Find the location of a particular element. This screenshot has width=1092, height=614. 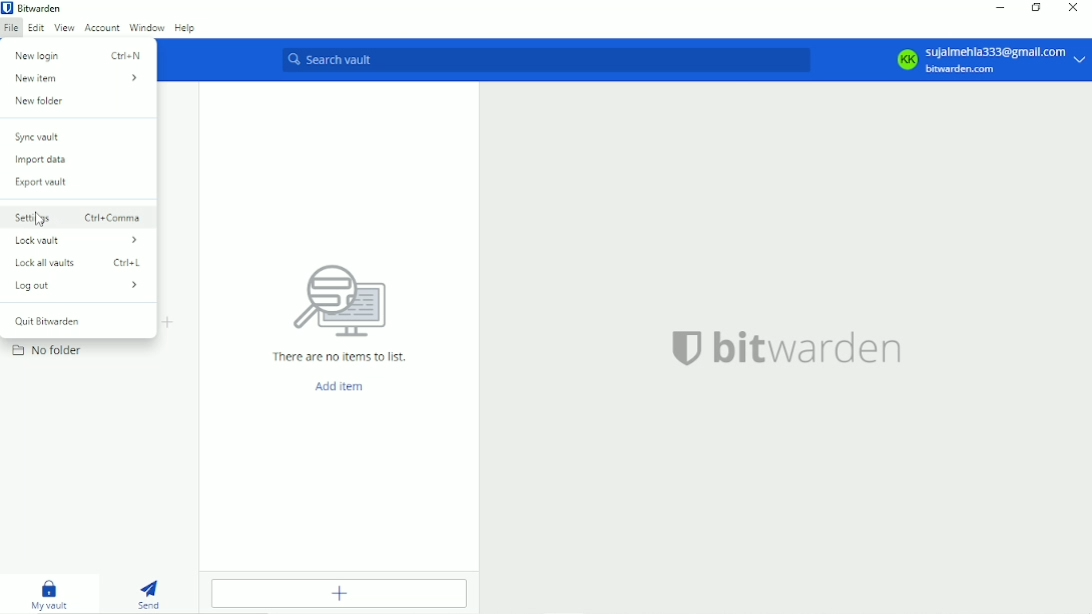

Lock all vaults is located at coordinates (80, 263).